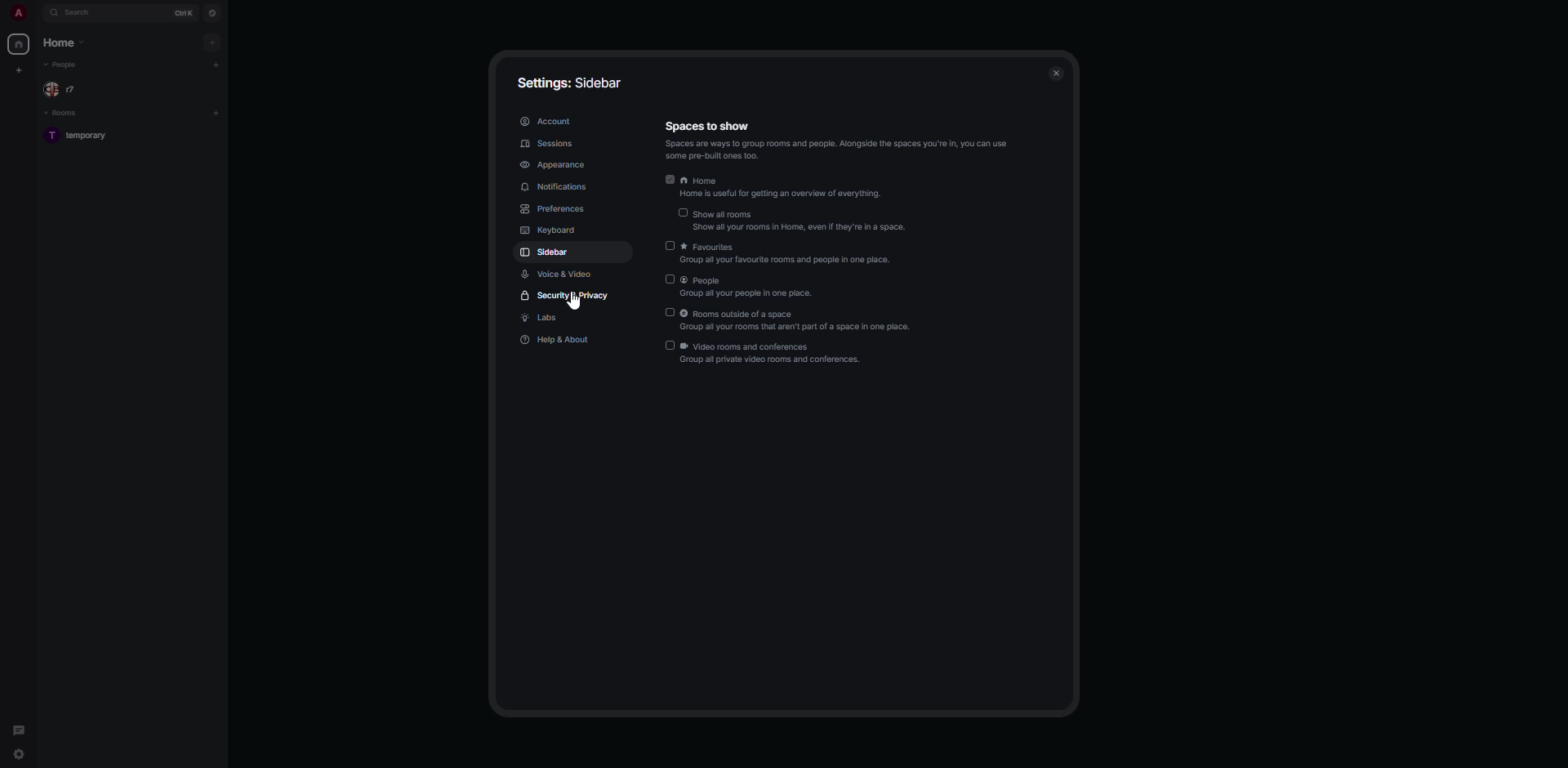  Describe the element at coordinates (786, 319) in the screenshot. I see `rooms outside of a space` at that location.